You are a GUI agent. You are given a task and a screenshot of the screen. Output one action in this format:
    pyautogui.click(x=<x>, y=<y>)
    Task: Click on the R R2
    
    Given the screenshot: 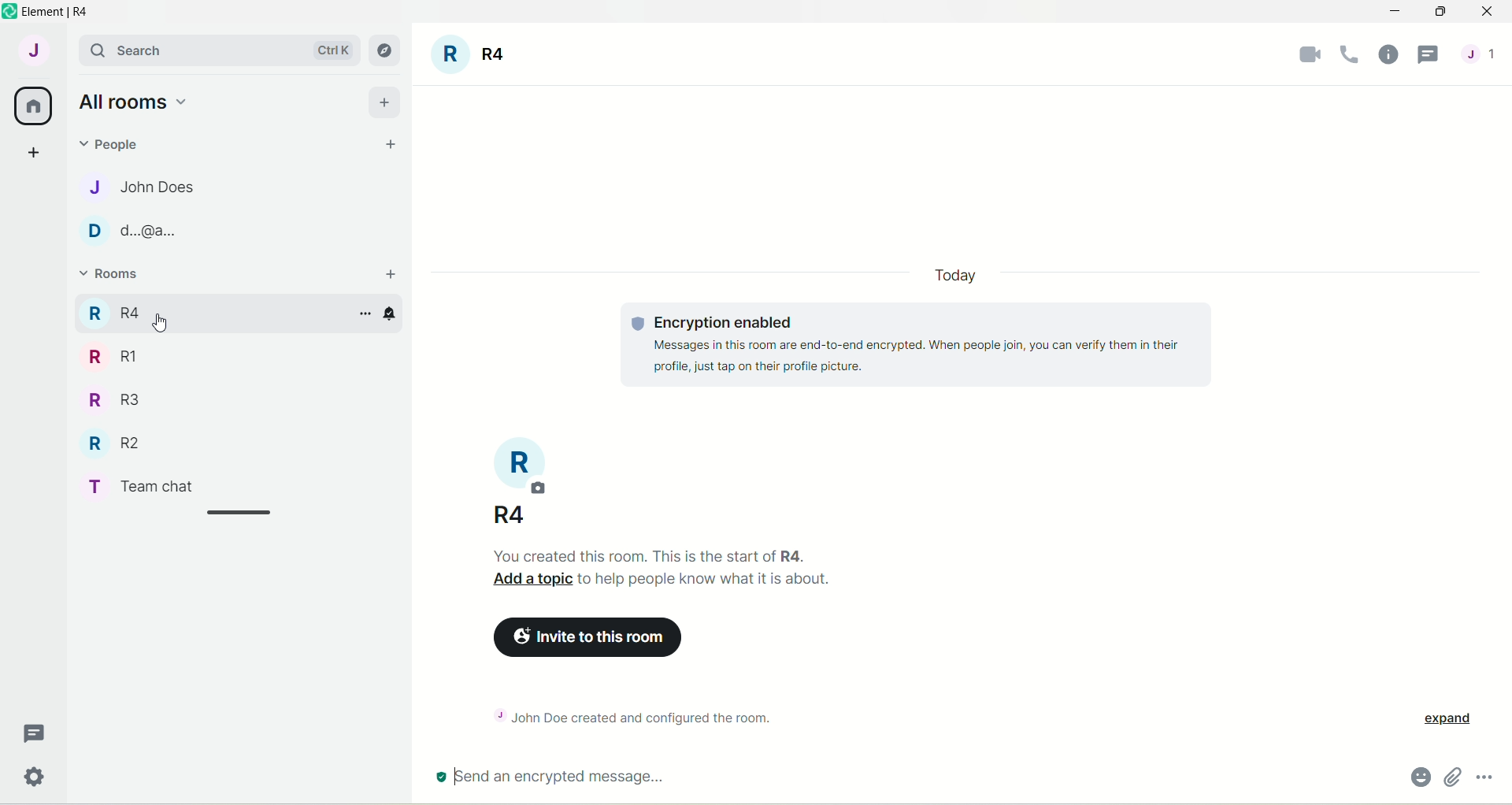 What is the action you would take?
    pyautogui.click(x=109, y=440)
    